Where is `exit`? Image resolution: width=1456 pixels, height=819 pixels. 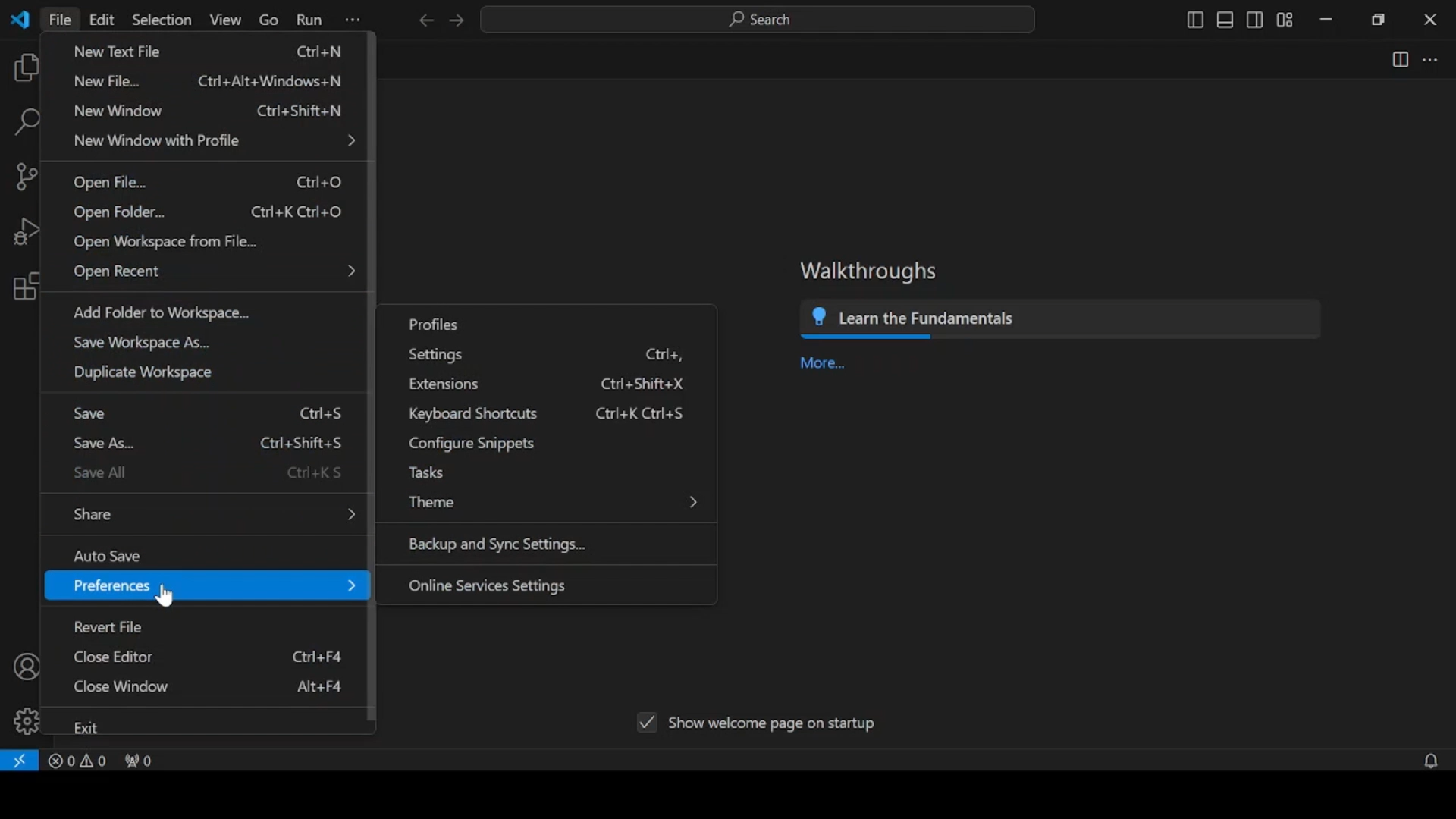
exit is located at coordinates (87, 726).